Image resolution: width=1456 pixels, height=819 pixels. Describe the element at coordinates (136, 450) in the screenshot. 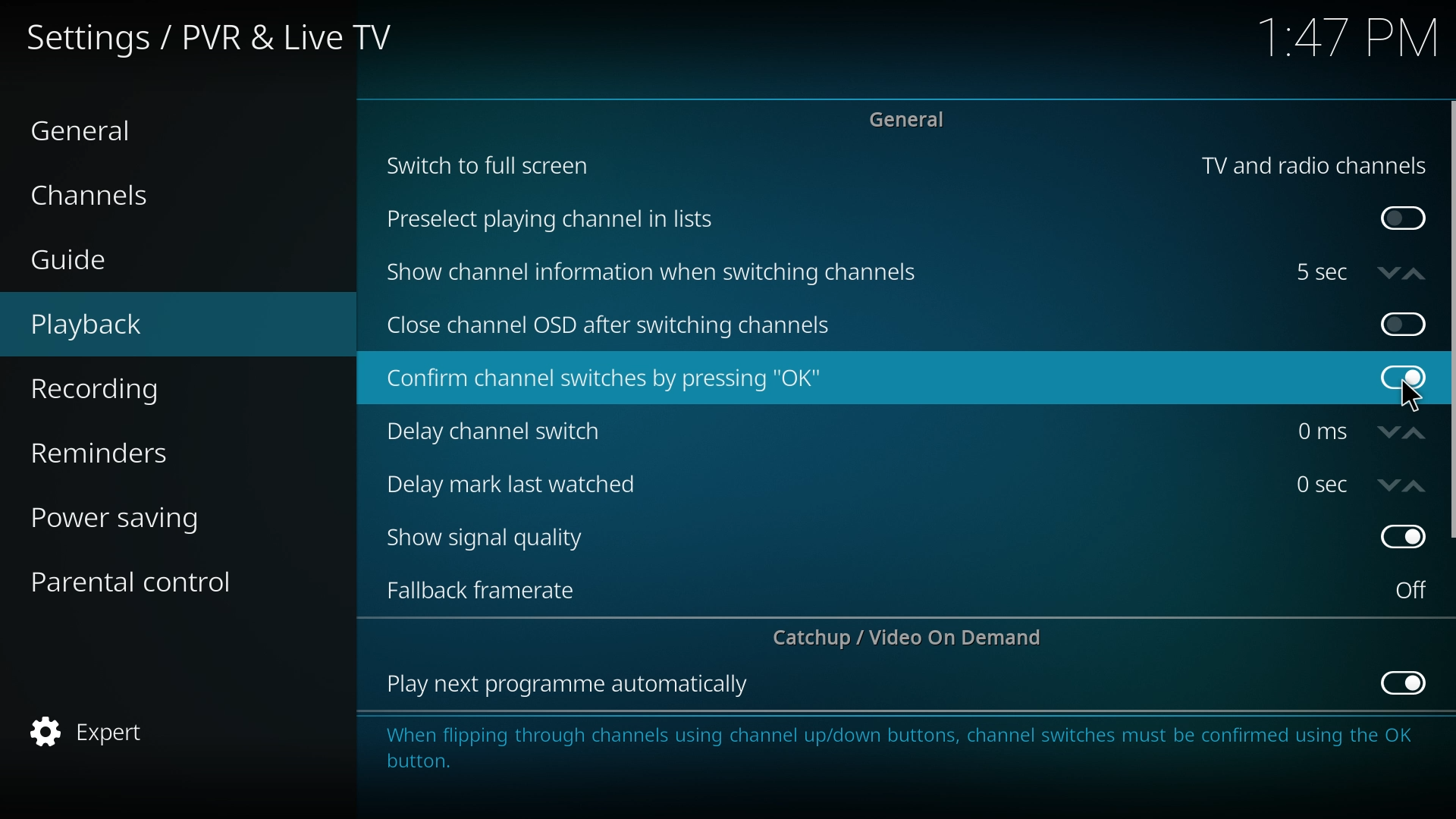

I see `reminders` at that location.